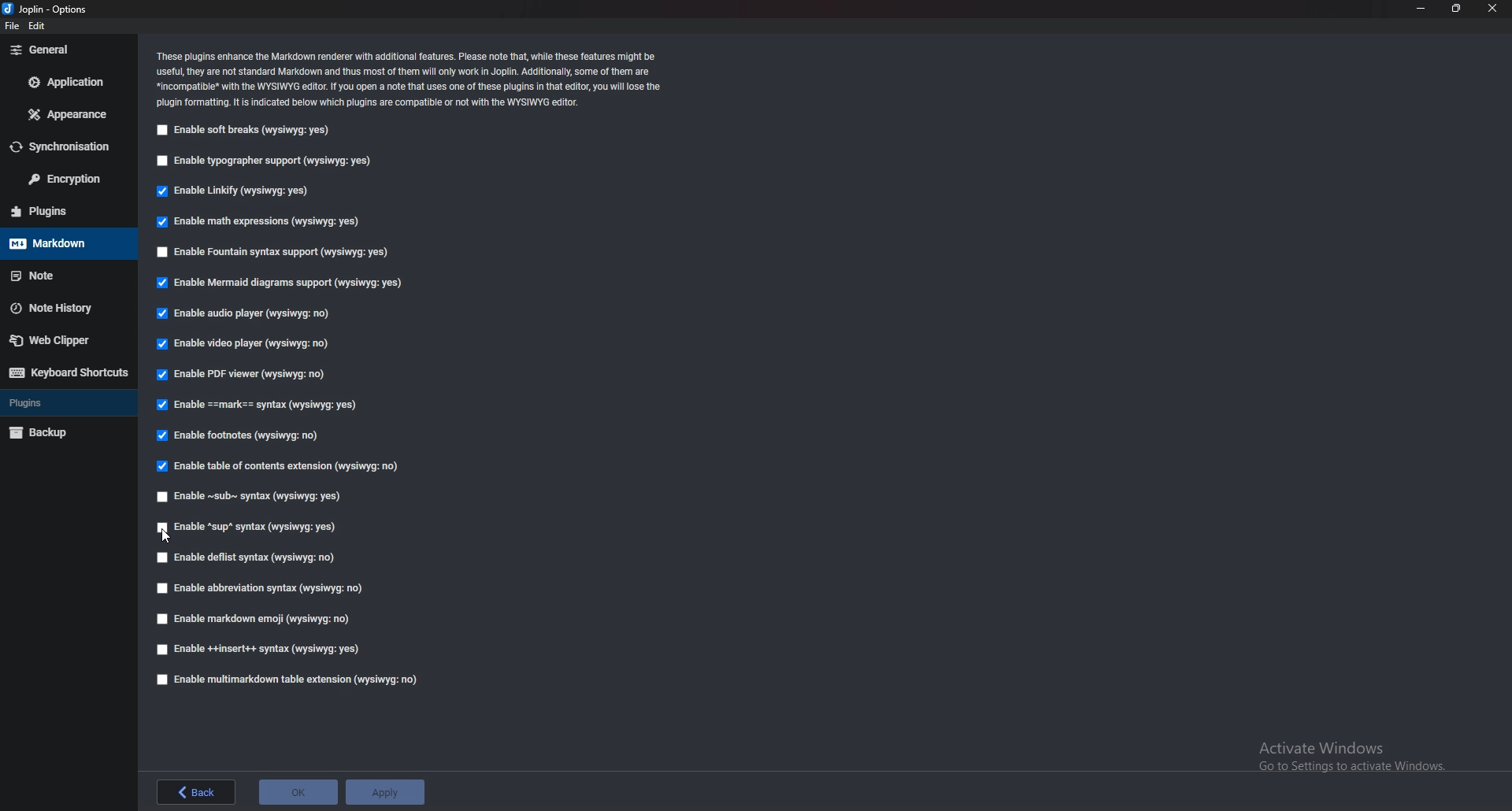 This screenshot has height=811, width=1512. Describe the element at coordinates (388, 791) in the screenshot. I see `apply` at that location.